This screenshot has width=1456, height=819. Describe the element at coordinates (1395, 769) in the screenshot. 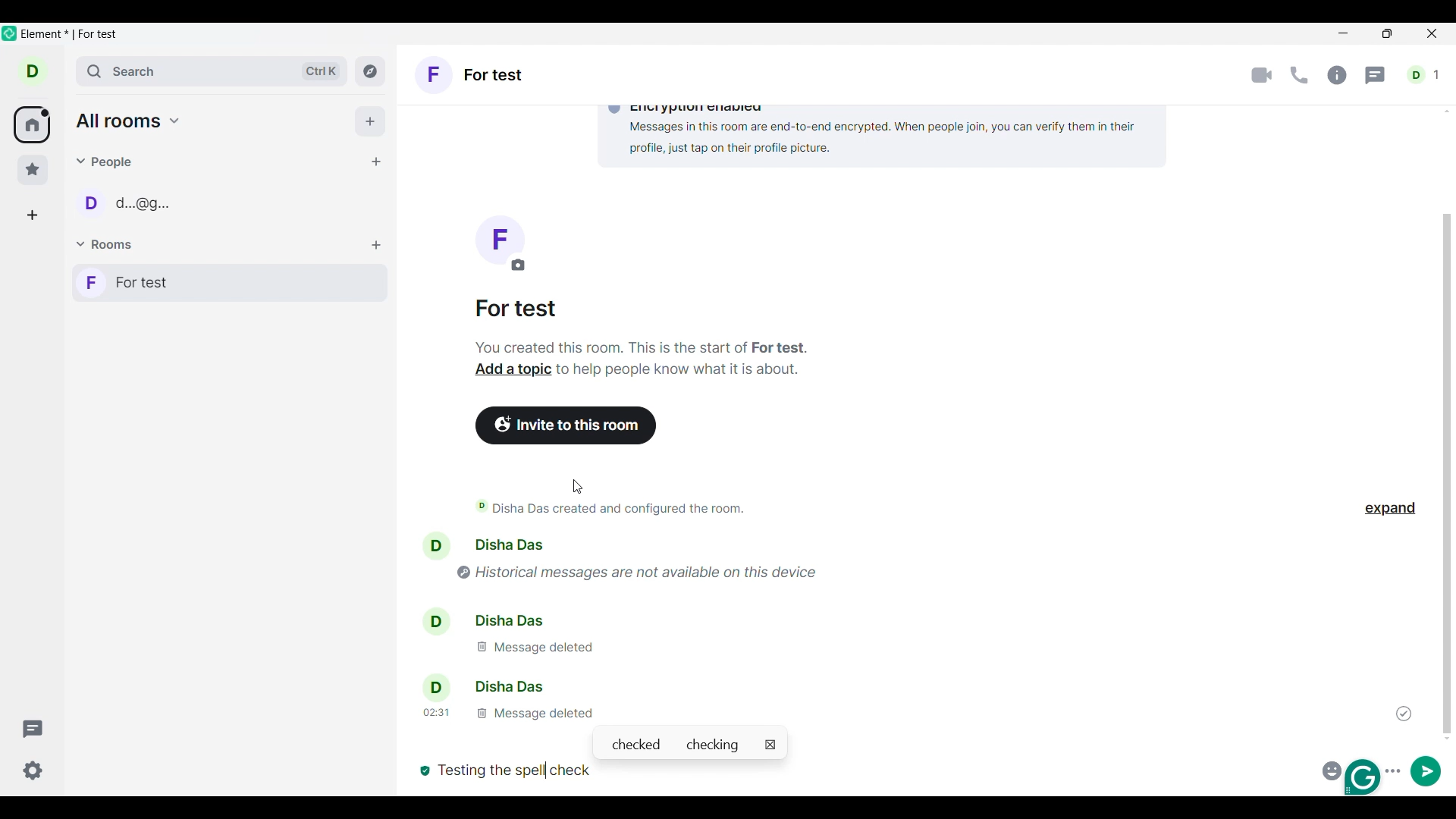

I see `more options` at that location.